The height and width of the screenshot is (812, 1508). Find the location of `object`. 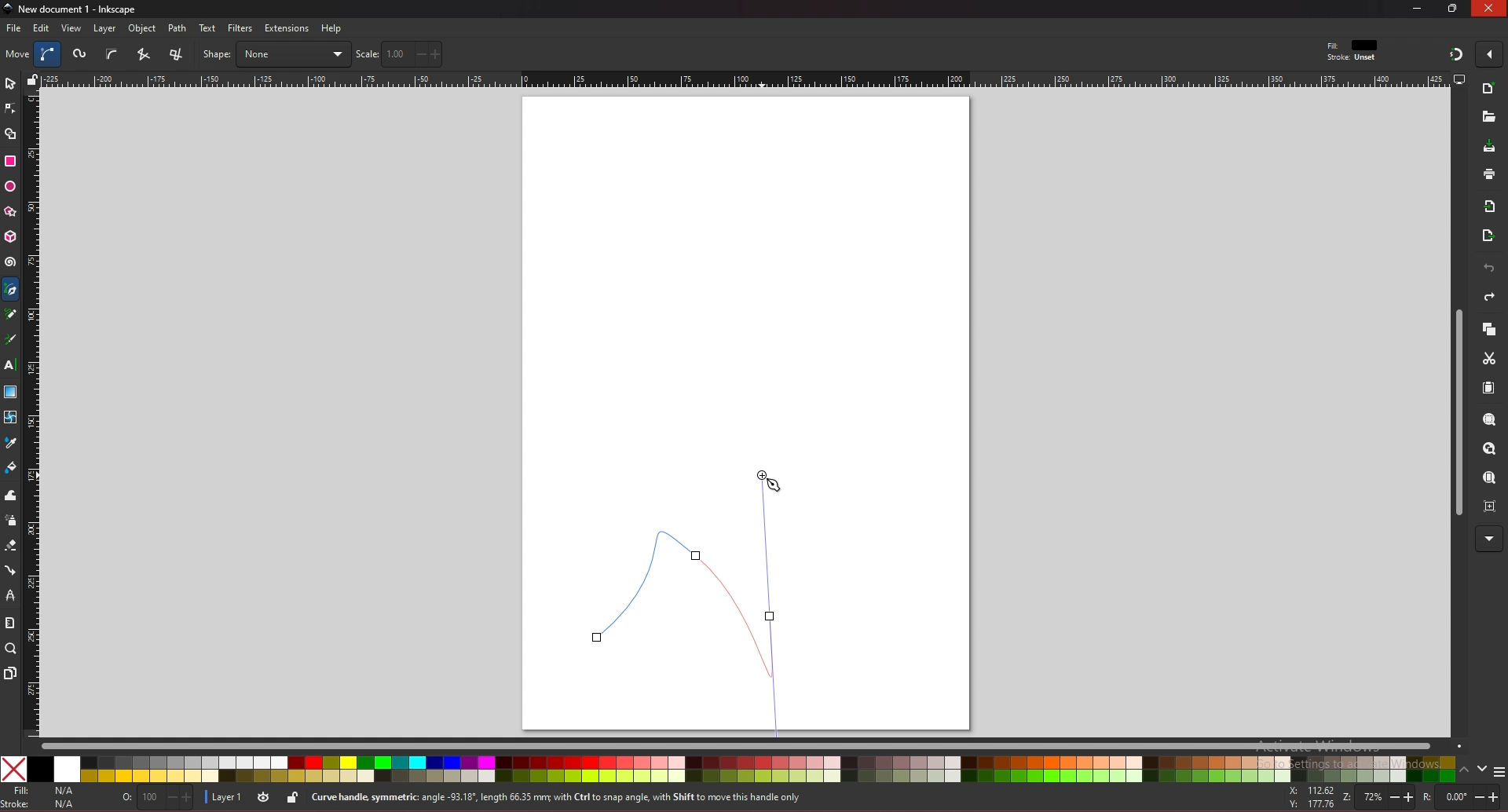

object is located at coordinates (145, 29).